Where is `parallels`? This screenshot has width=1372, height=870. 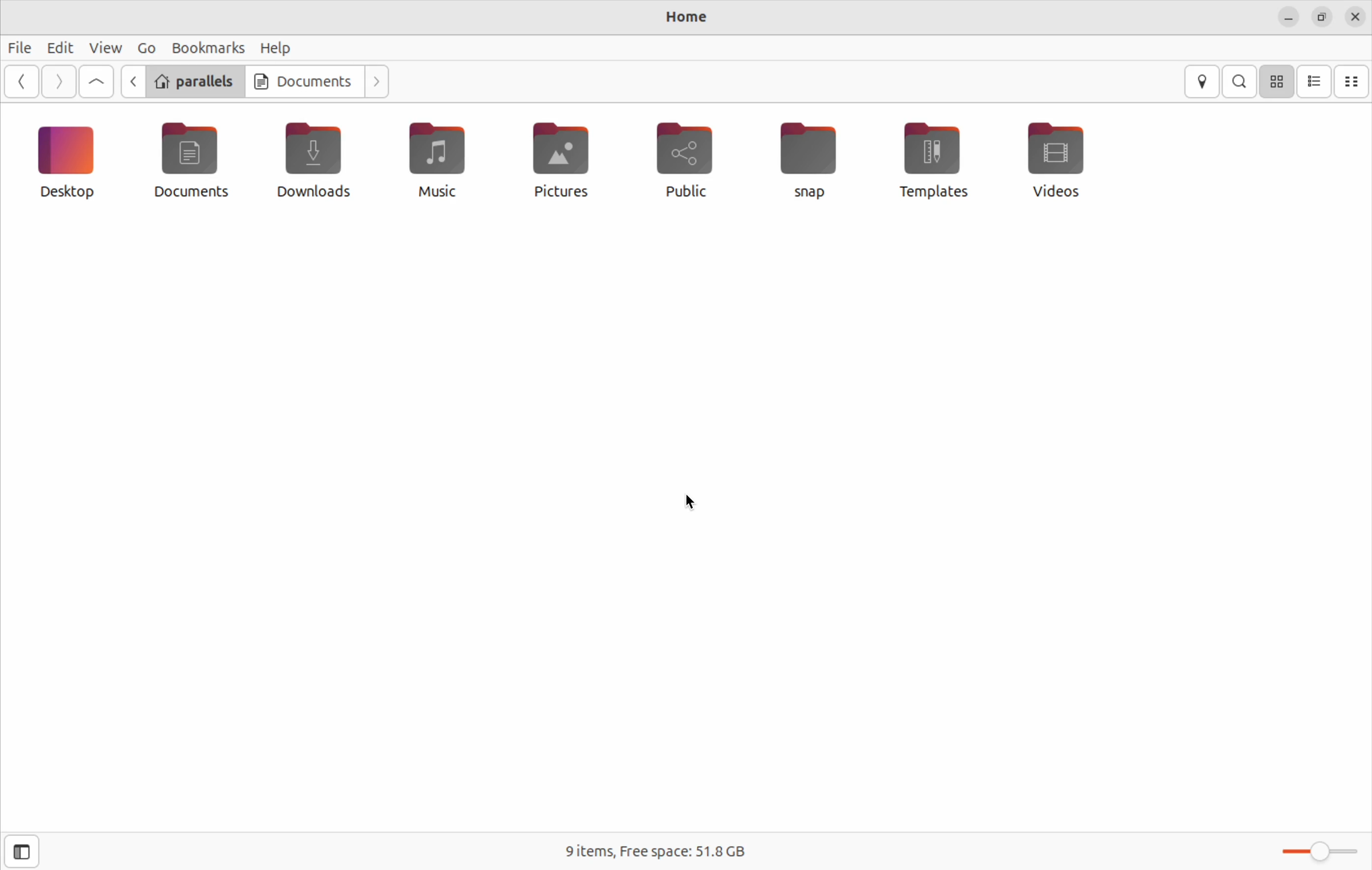
parallels is located at coordinates (197, 81).